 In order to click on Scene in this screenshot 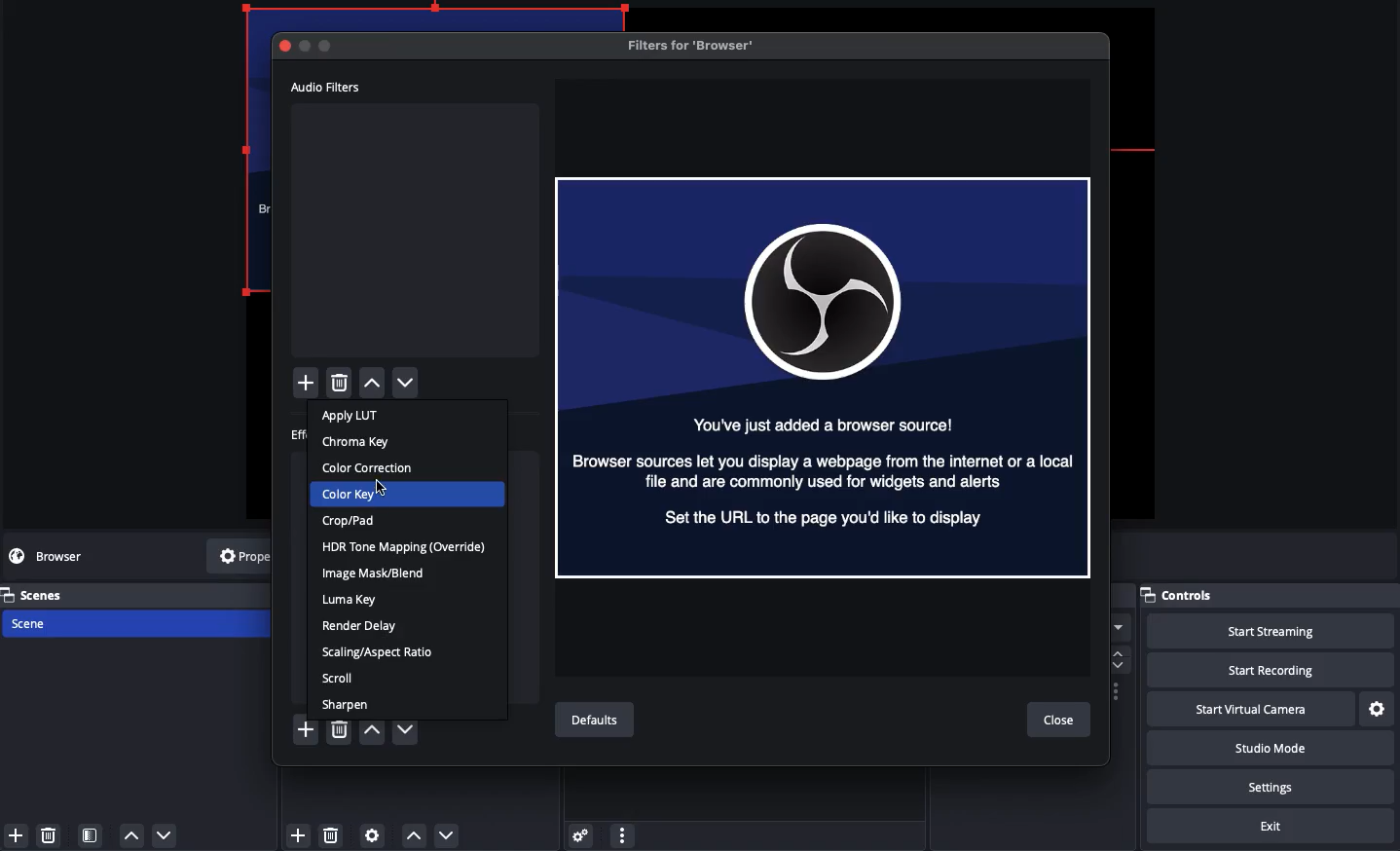, I will do `click(40, 622)`.